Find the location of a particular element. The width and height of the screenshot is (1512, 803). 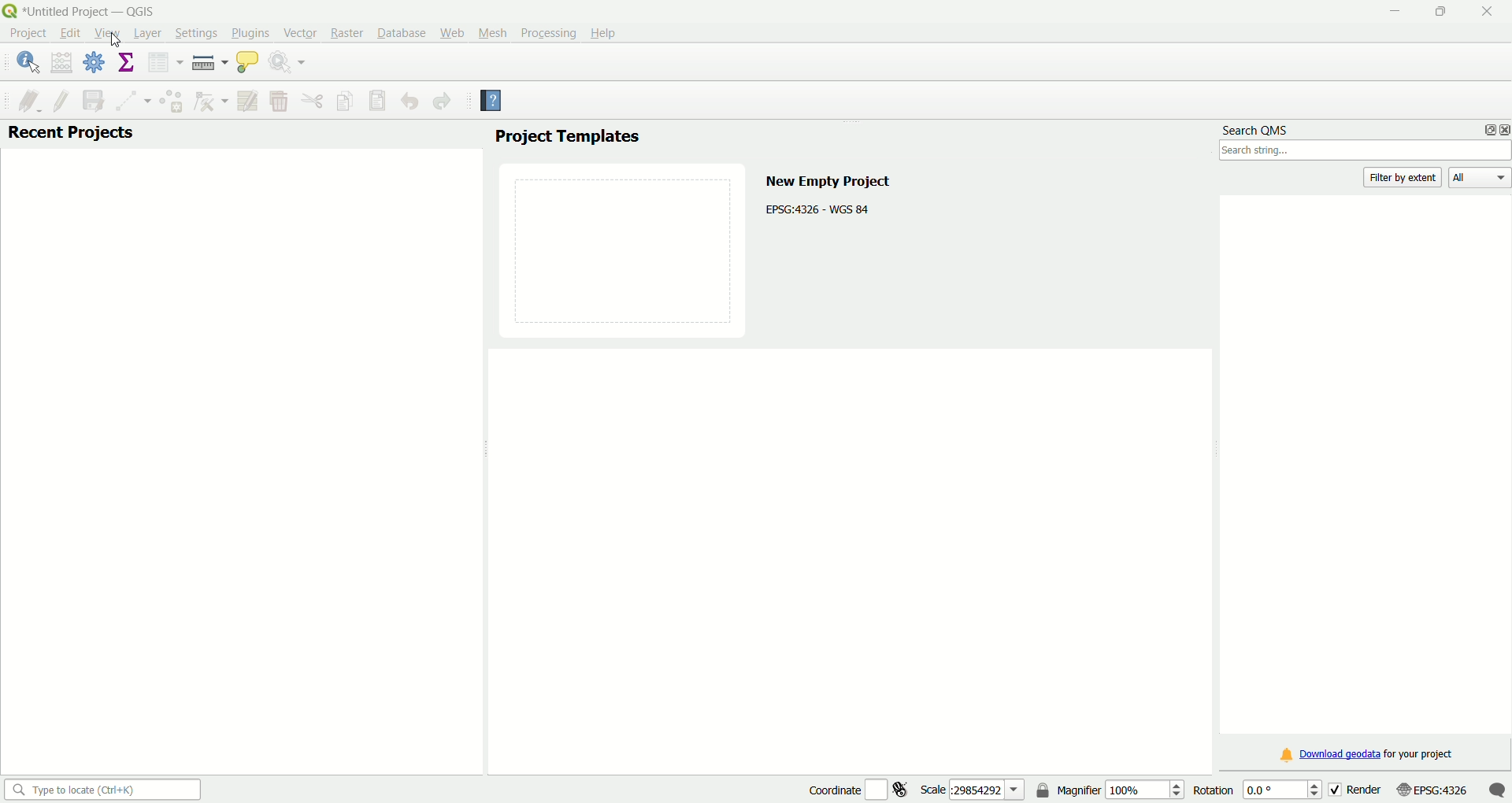

View is located at coordinates (107, 35).